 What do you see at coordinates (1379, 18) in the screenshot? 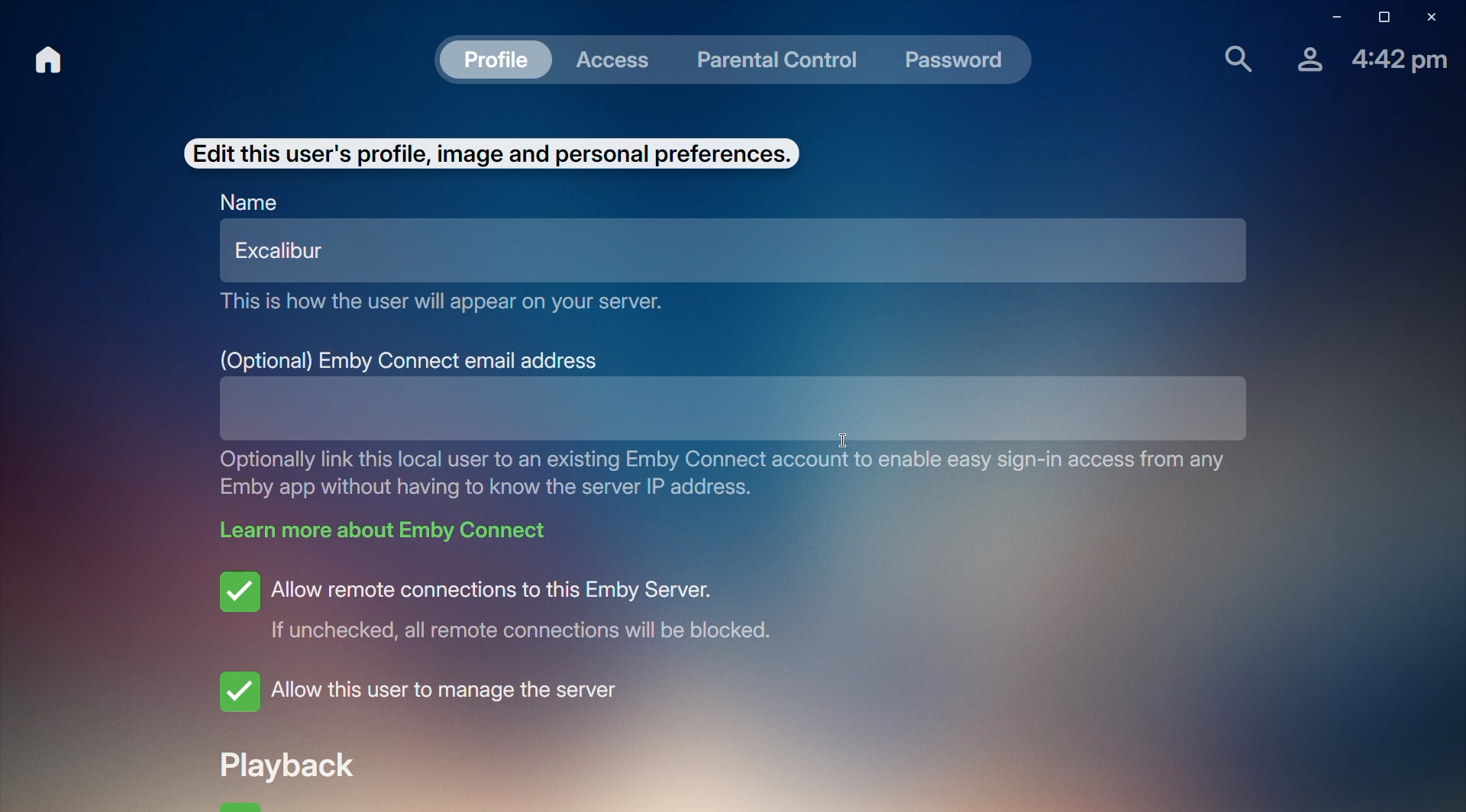
I see `Restore` at bounding box center [1379, 18].